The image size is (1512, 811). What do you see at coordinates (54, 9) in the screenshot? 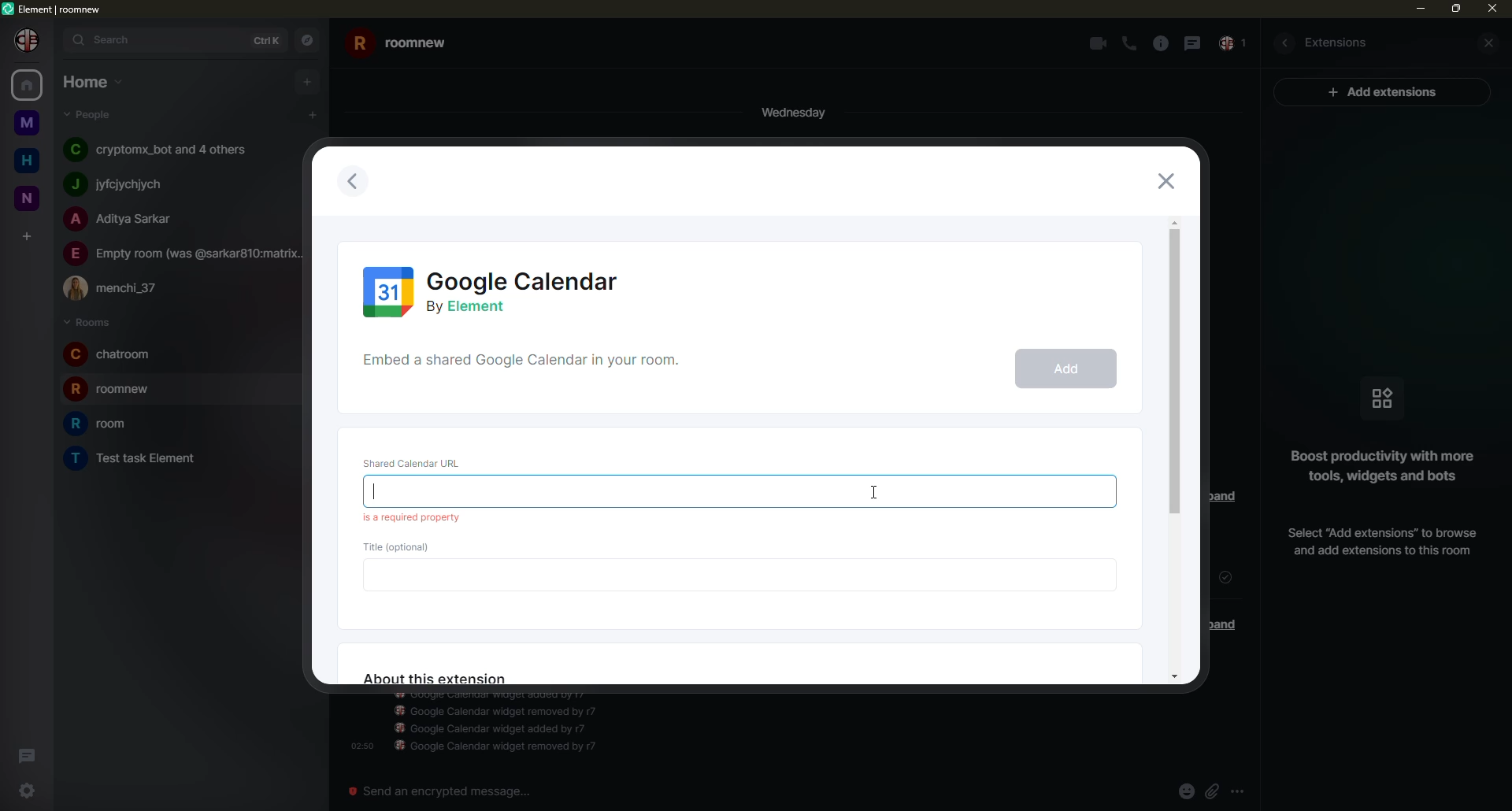
I see `element` at bounding box center [54, 9].